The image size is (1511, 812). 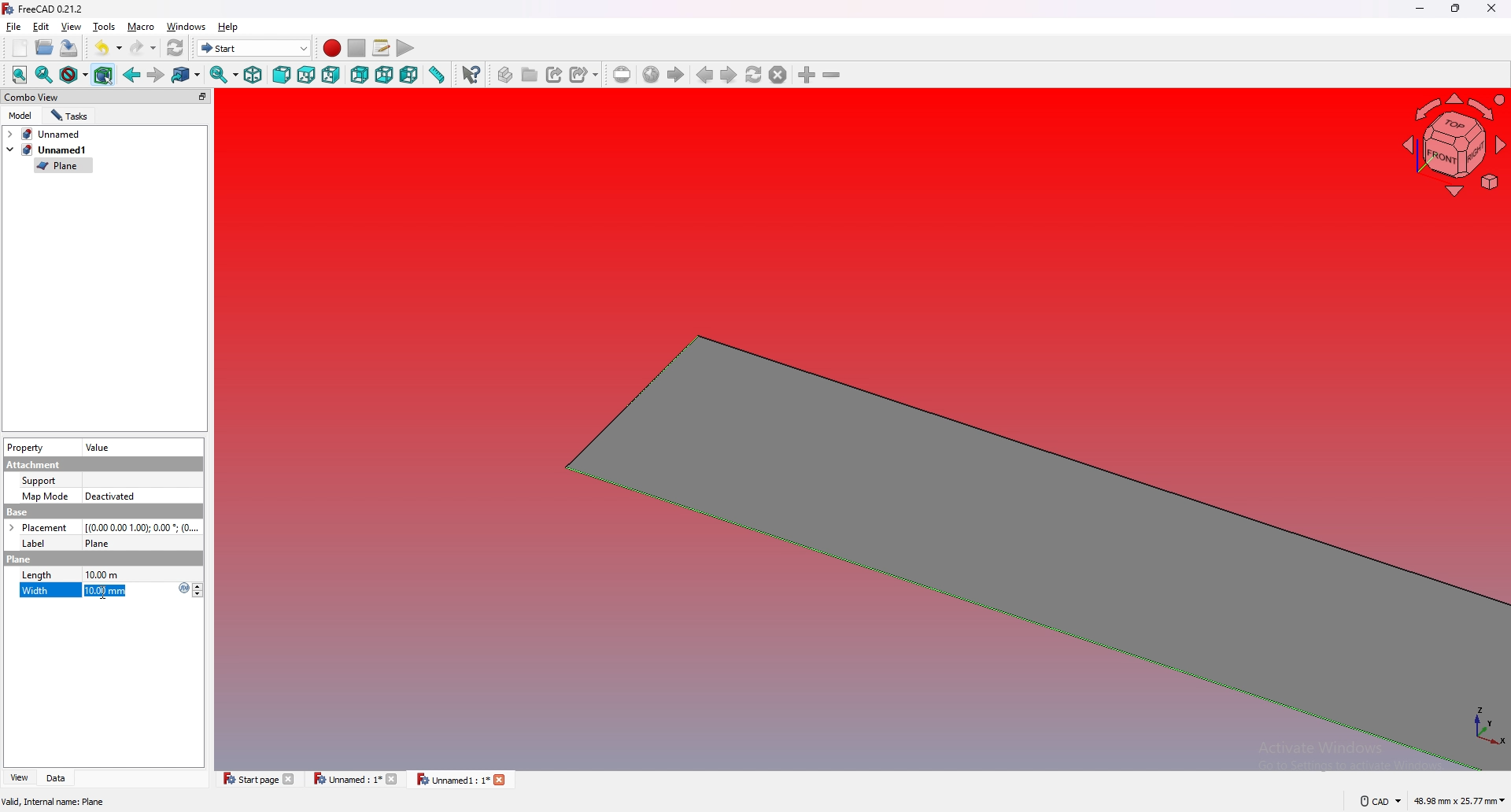 What do you see at coordinates (20, 48) in the screenshot?
I see `new` at bounding box center [20, 48].